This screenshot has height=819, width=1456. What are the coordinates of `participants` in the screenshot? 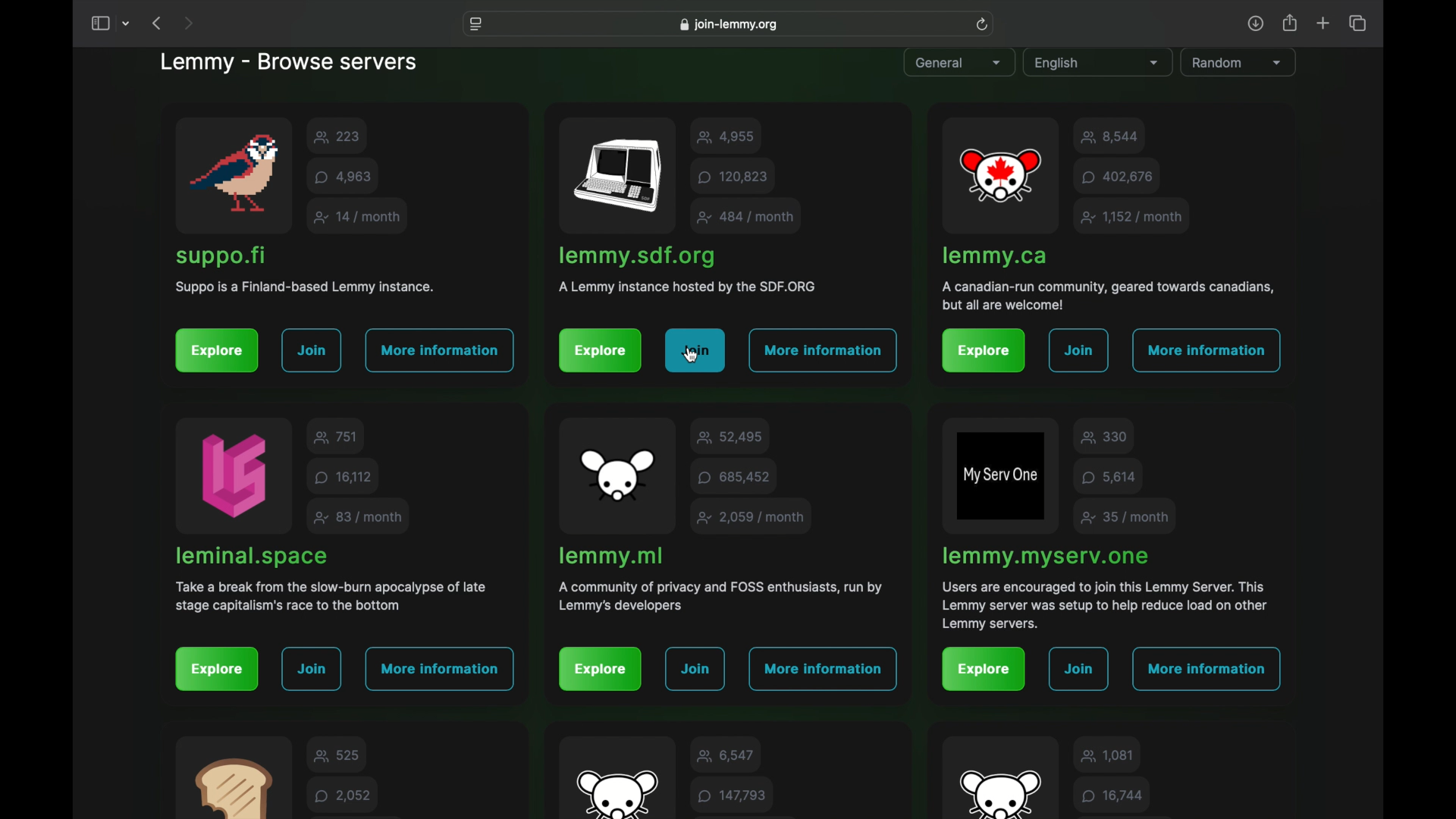 It's located at (336, 437).